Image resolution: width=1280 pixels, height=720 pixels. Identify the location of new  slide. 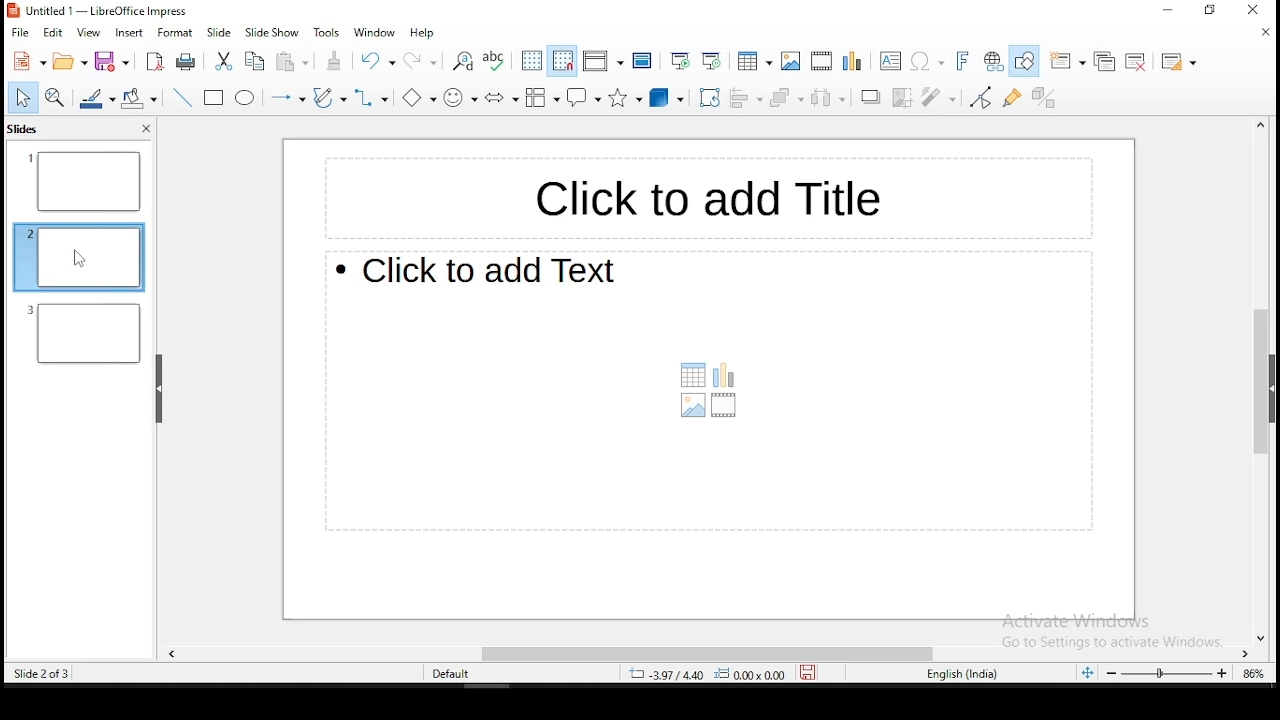
(1065, 62).